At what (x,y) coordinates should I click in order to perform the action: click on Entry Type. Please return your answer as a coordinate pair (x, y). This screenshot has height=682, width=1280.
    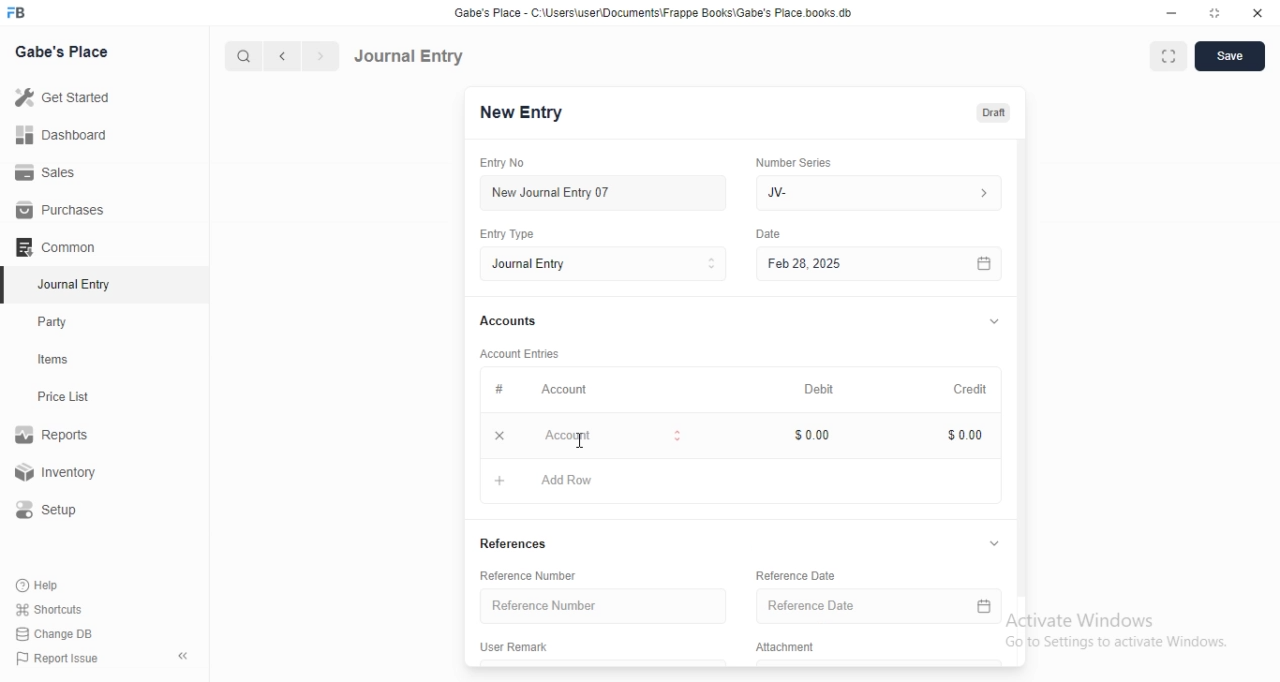
    Looking at the image, I should click on (509, 234).